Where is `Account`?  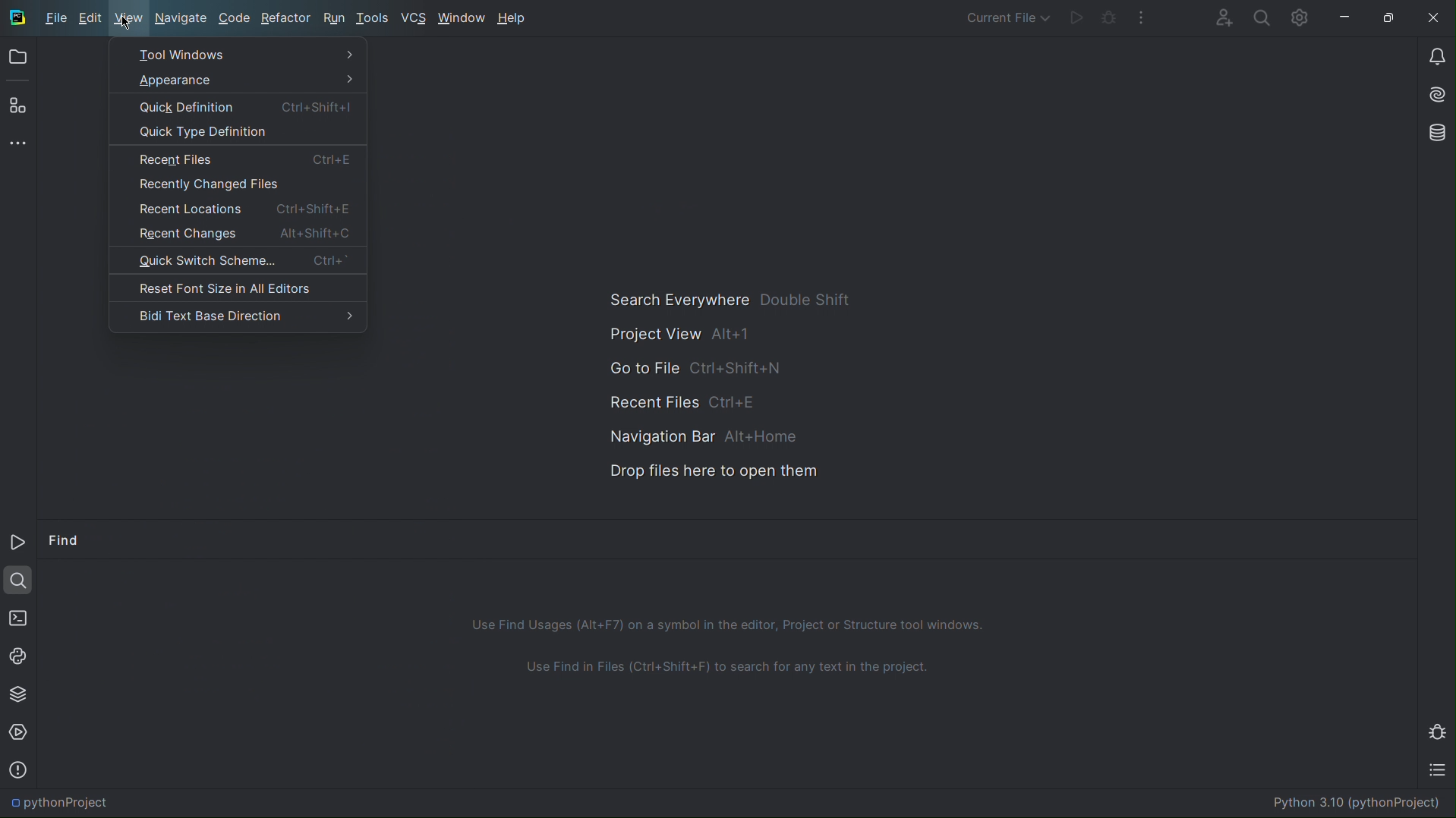
Account is located at coordinates (1222, 16).